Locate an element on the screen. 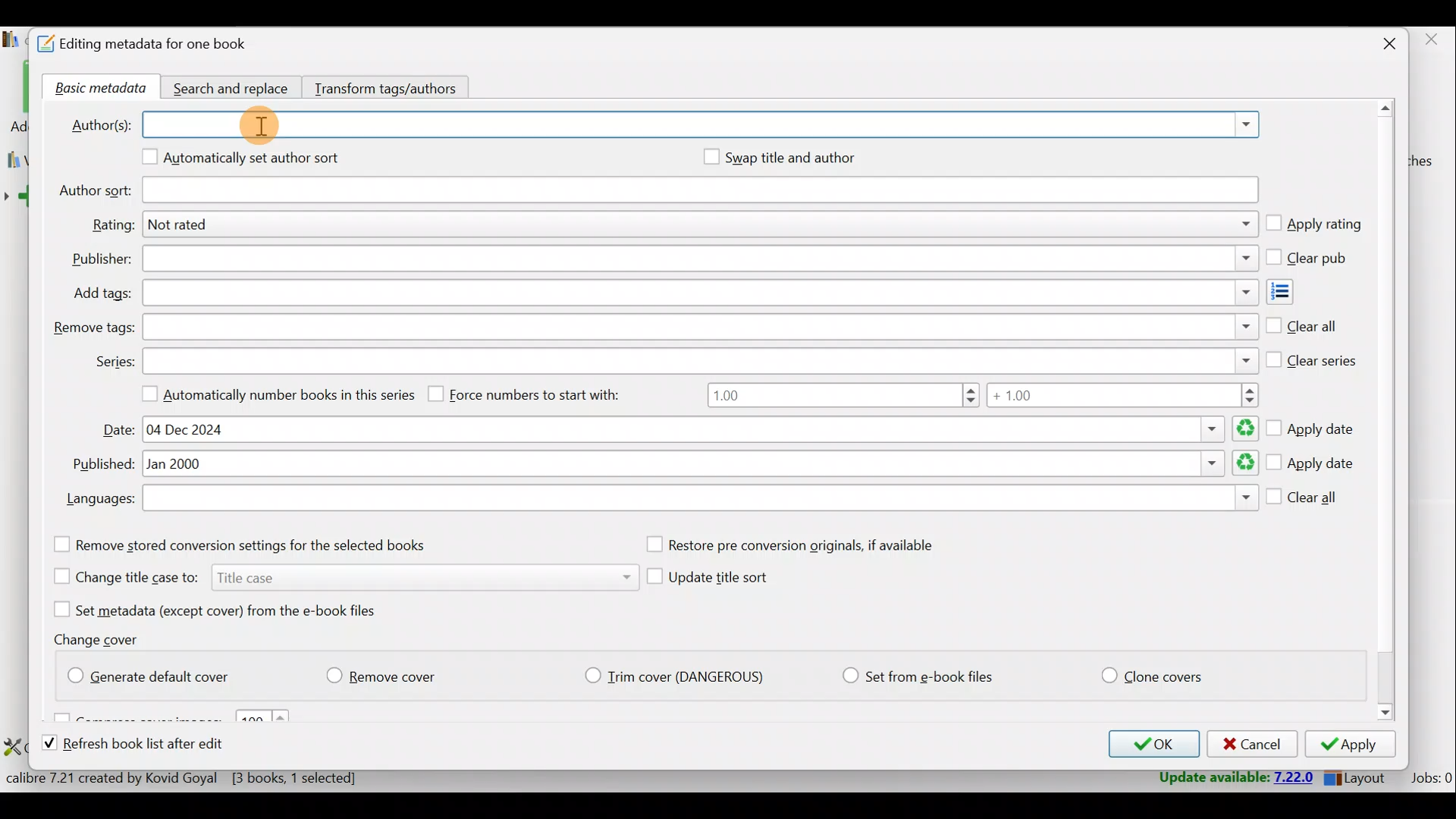  Set metadata (except cover) from the e-book files is located at coordinates (234, 609).